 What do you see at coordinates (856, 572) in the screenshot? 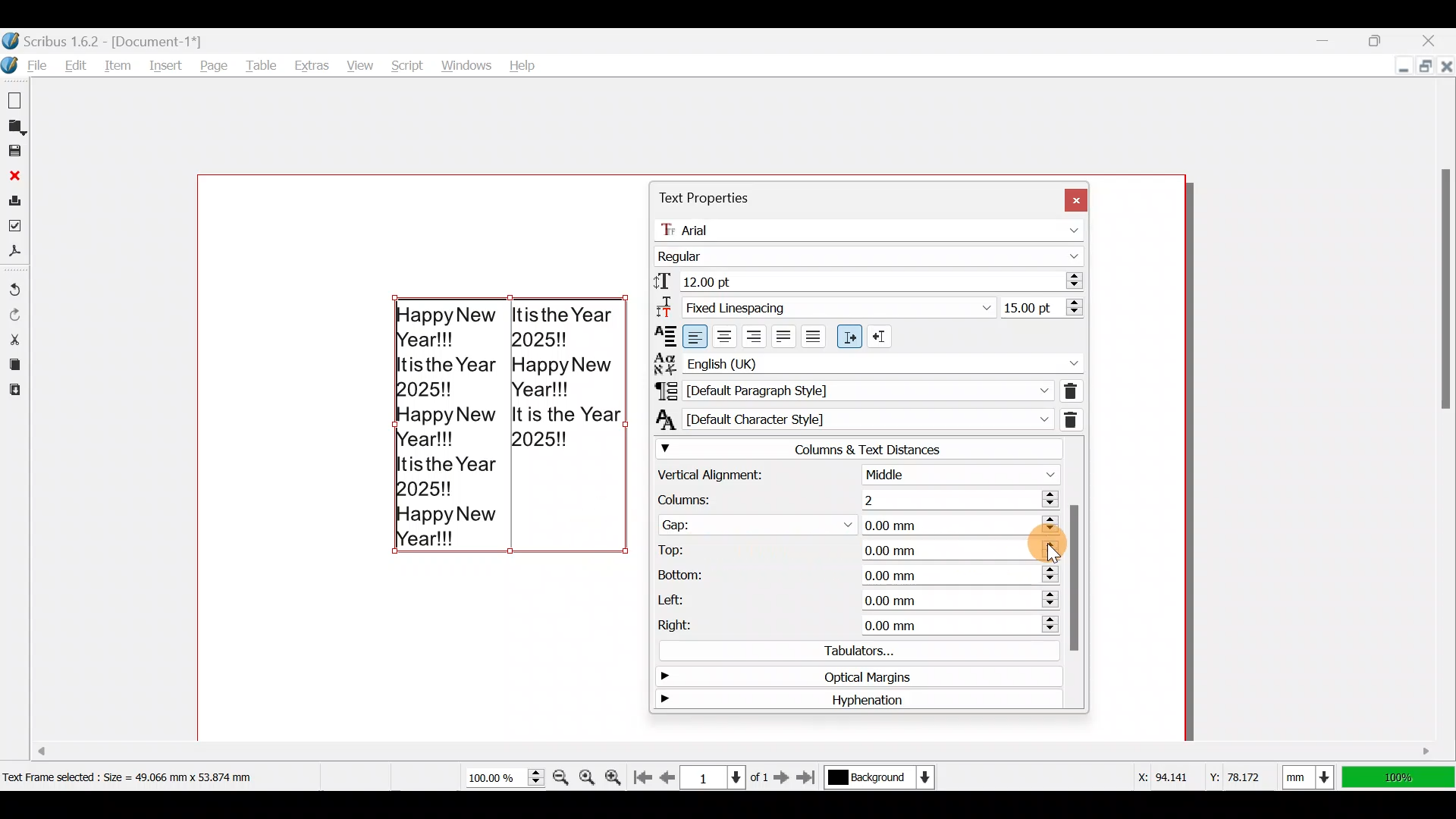
I see `Bottom` at bounding box center [856, 572].